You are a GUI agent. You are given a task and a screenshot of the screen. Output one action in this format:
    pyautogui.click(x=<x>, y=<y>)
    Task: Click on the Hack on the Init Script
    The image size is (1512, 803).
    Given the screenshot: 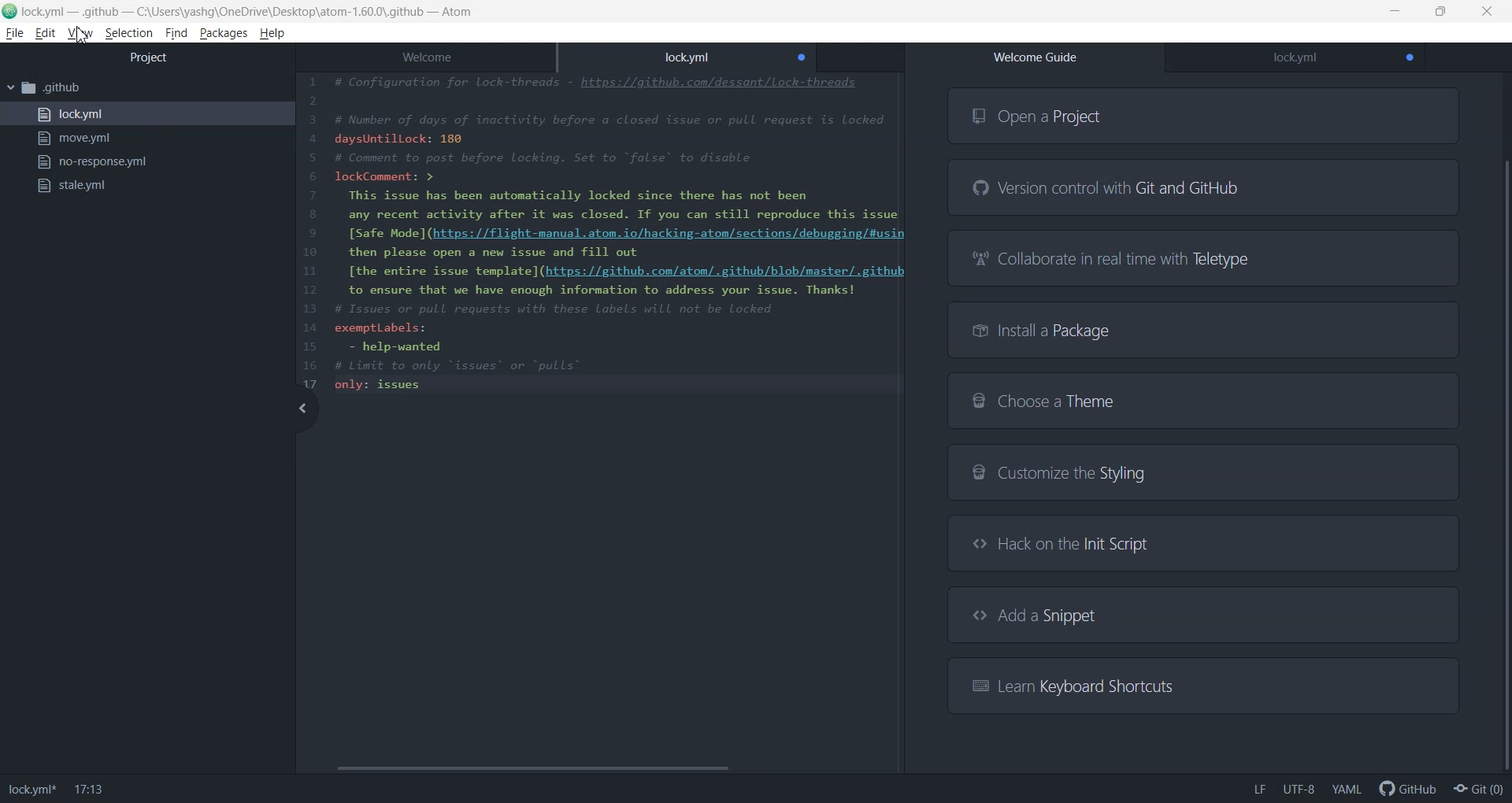 What is the action you would take?
    pyautogui.click(x=1197, y=542)
    